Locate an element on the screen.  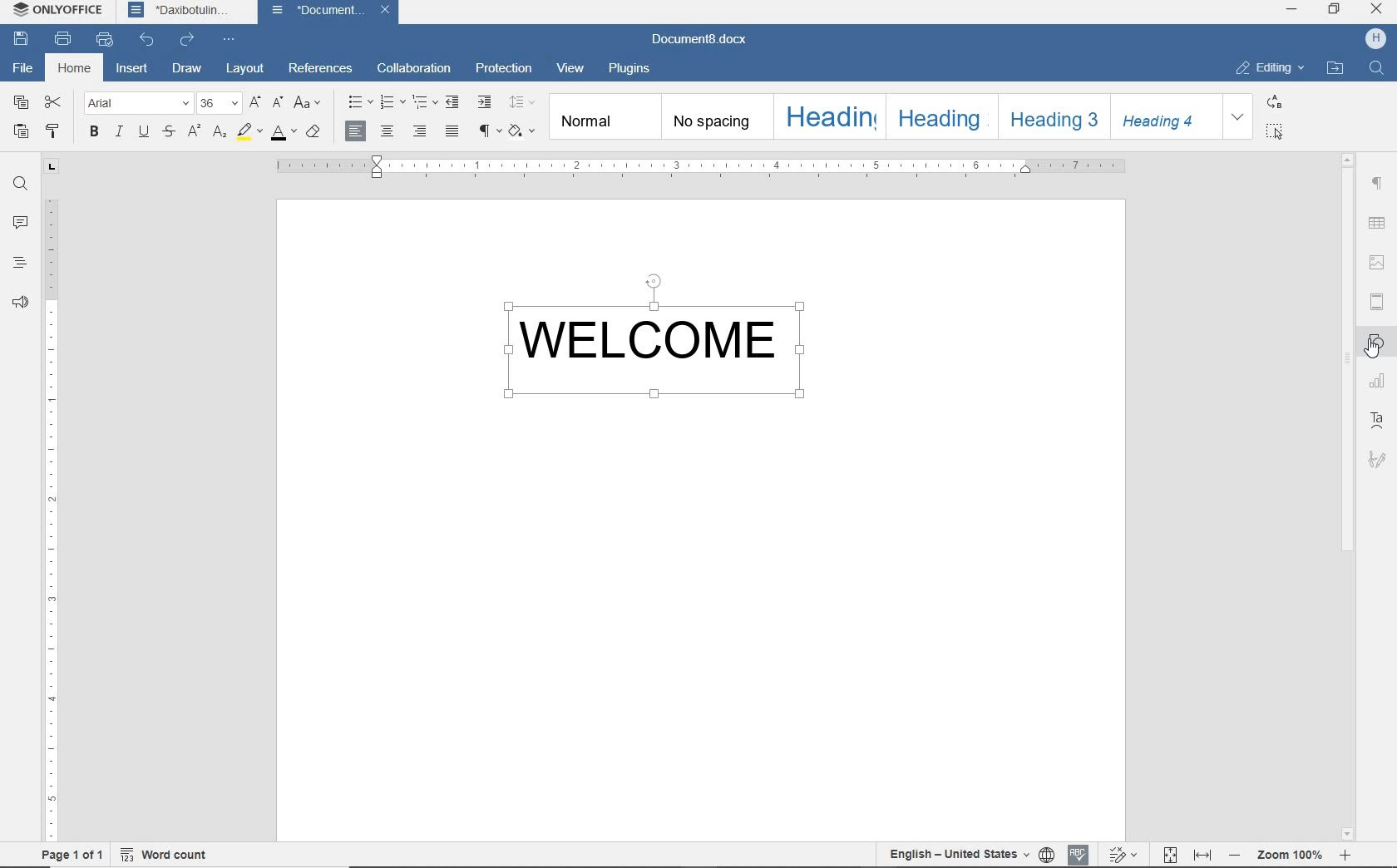
Zoom out is located at coordinates (1236, 854).